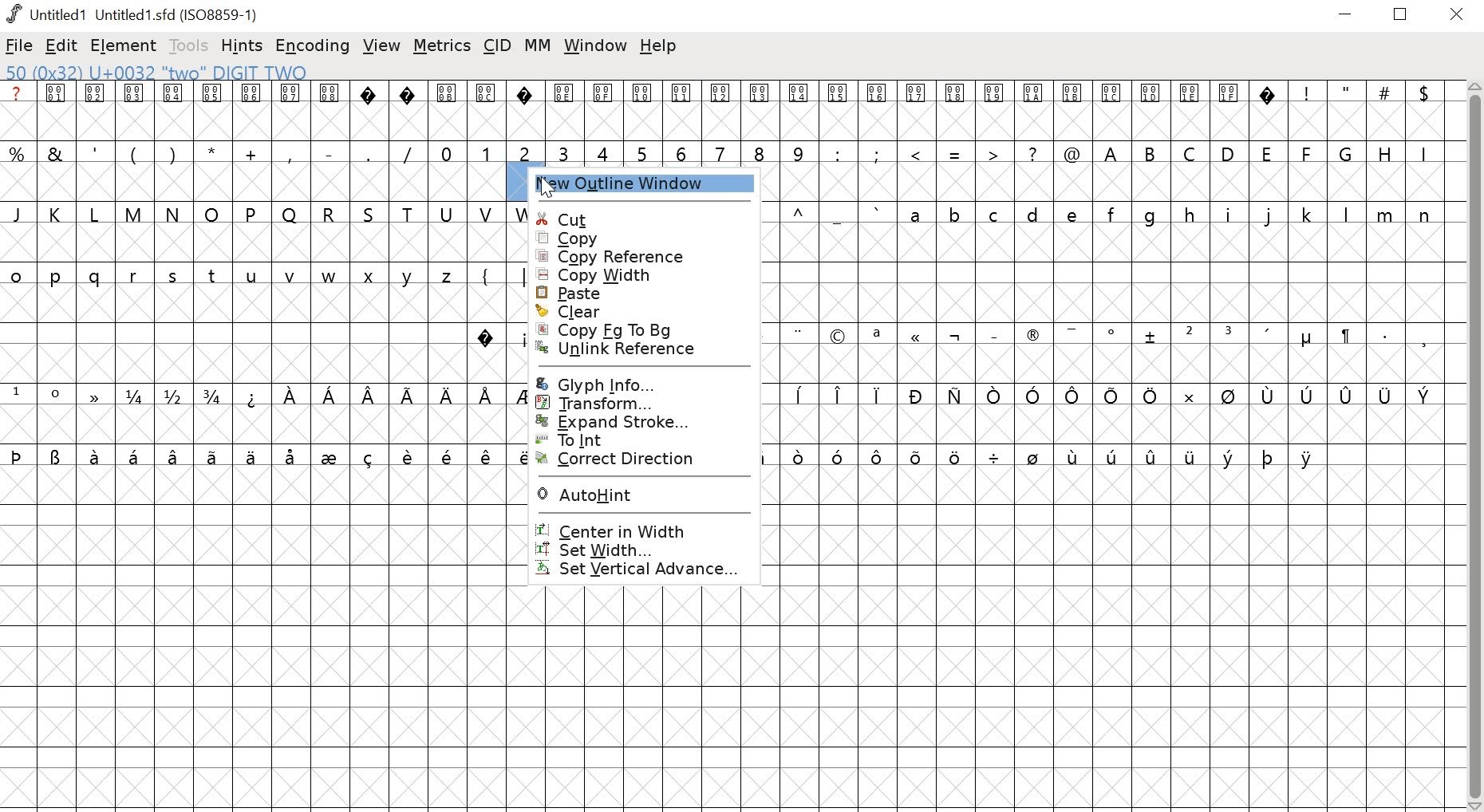 This screenshot has width=1484, height=812. I want to click on CENTER IN WIDTH, so click(642, 529).